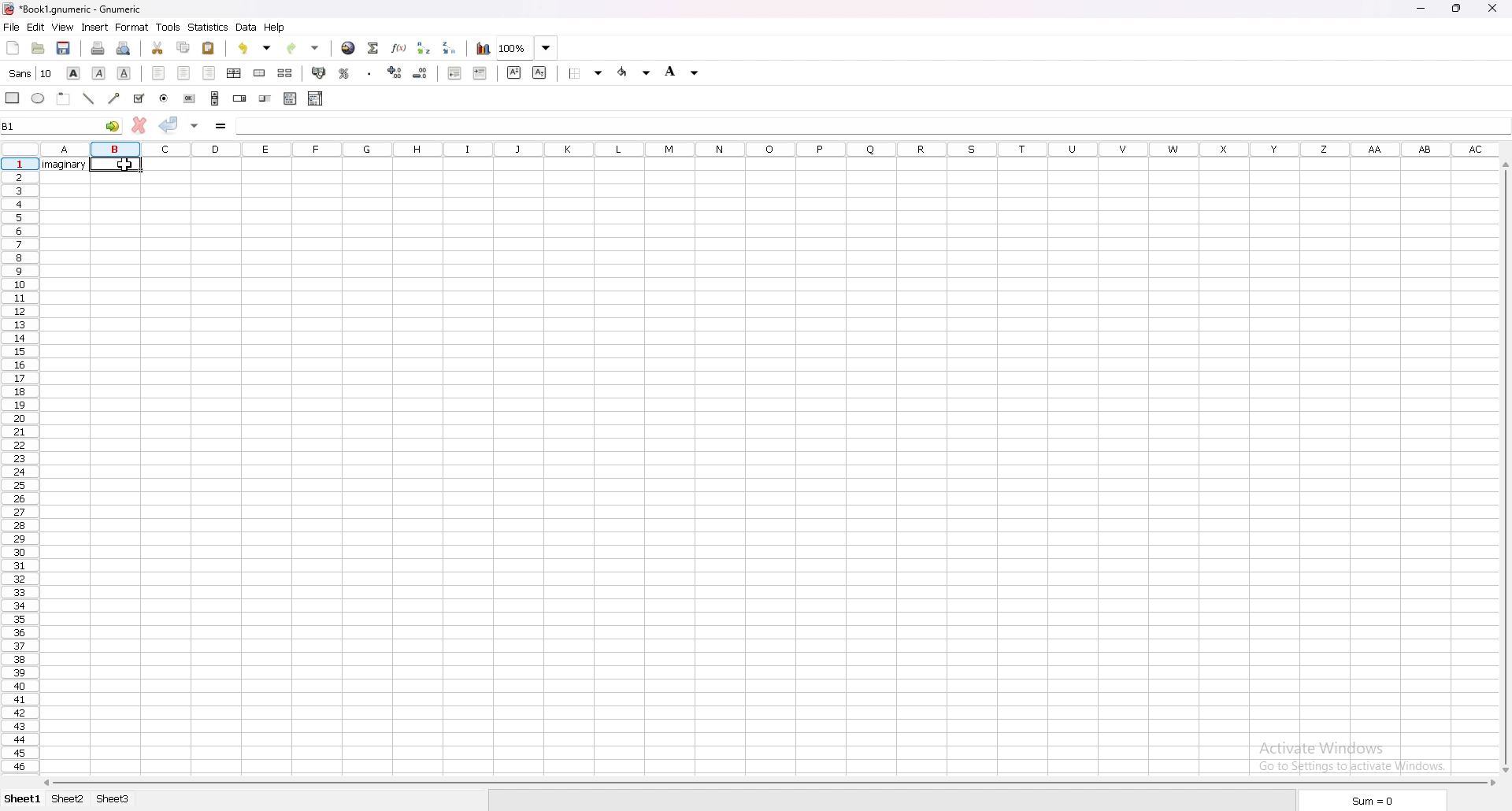  What do you see at coordinates (285, 72) in the screenshot?
I see `split merged cells` at bounding box center [285, 72].